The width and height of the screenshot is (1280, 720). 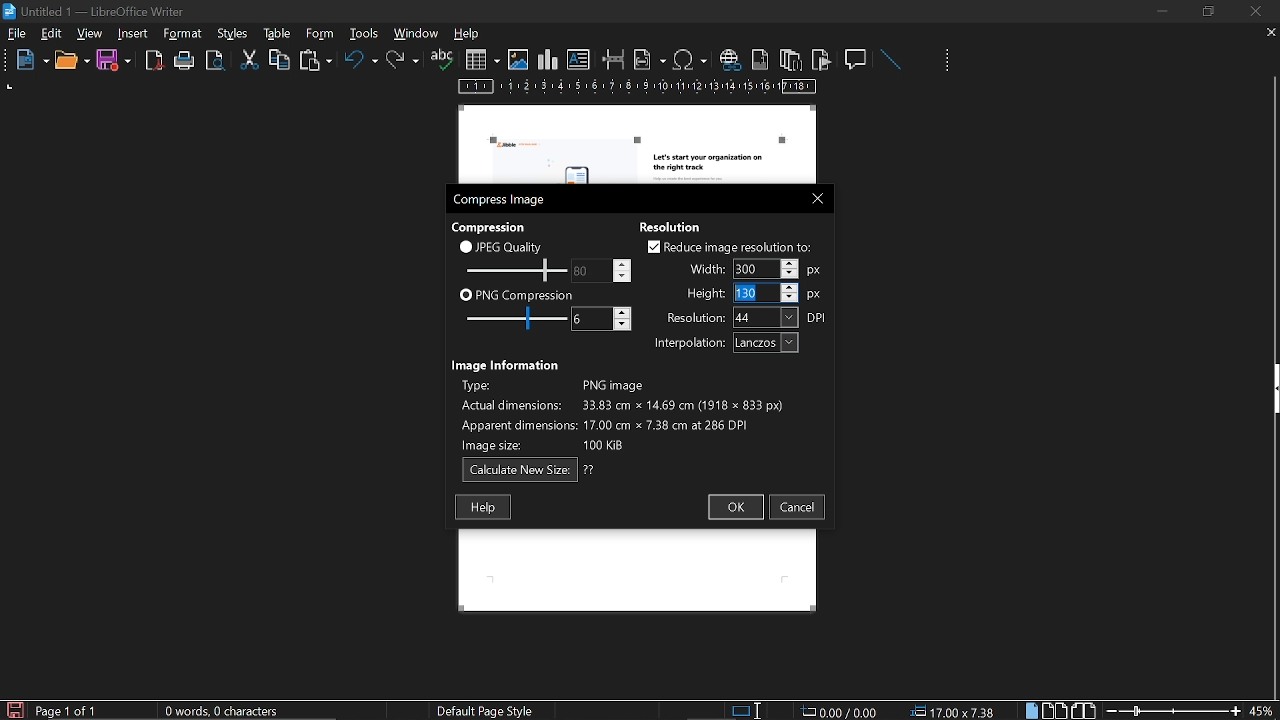 What do you see at coordinates (508, 363) in the screenshot?
I see `Image information` at bounding box center [508, 363].